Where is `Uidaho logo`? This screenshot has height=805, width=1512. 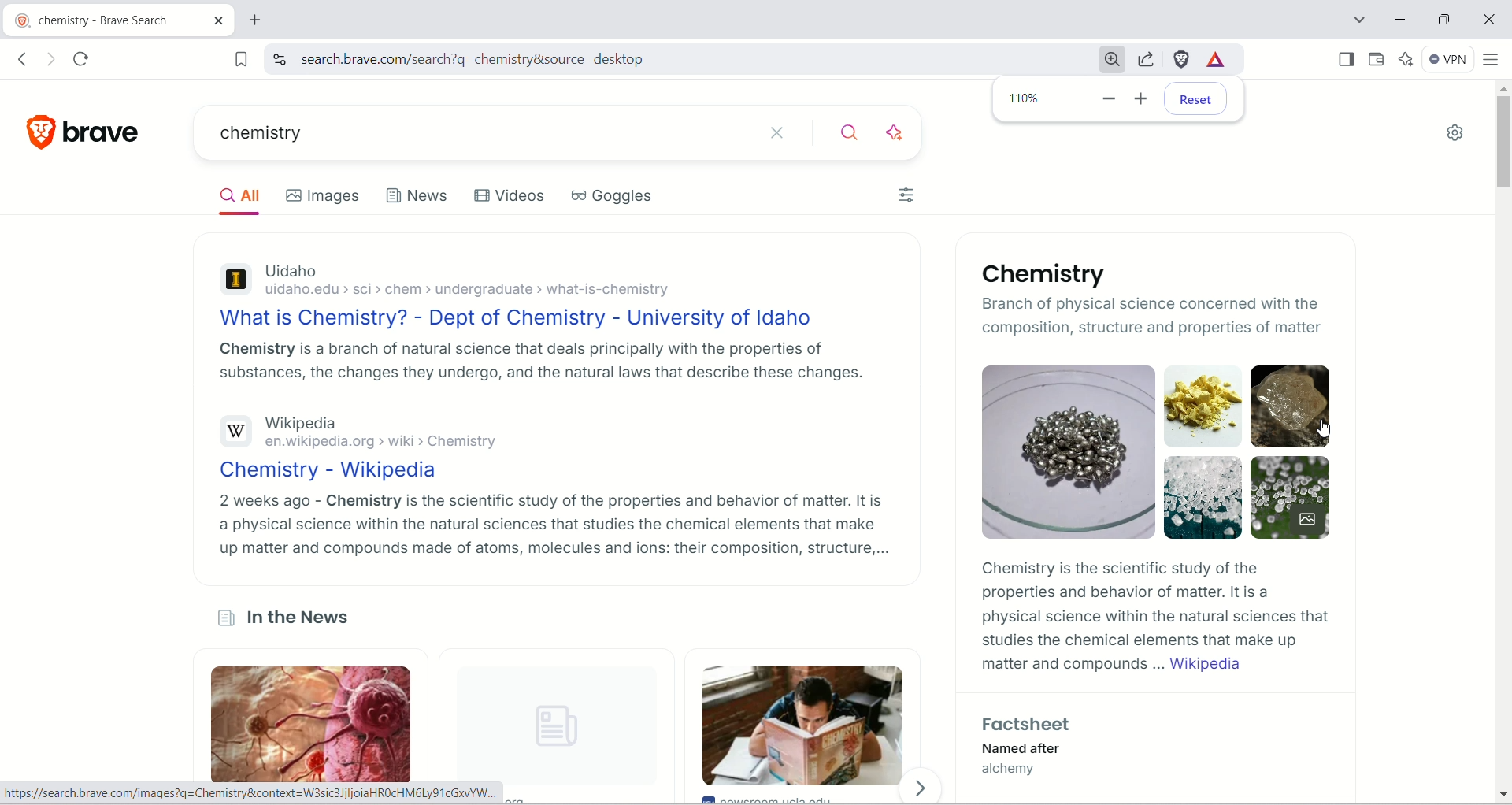 Uidaho logo is located at coordinates (232, 279).